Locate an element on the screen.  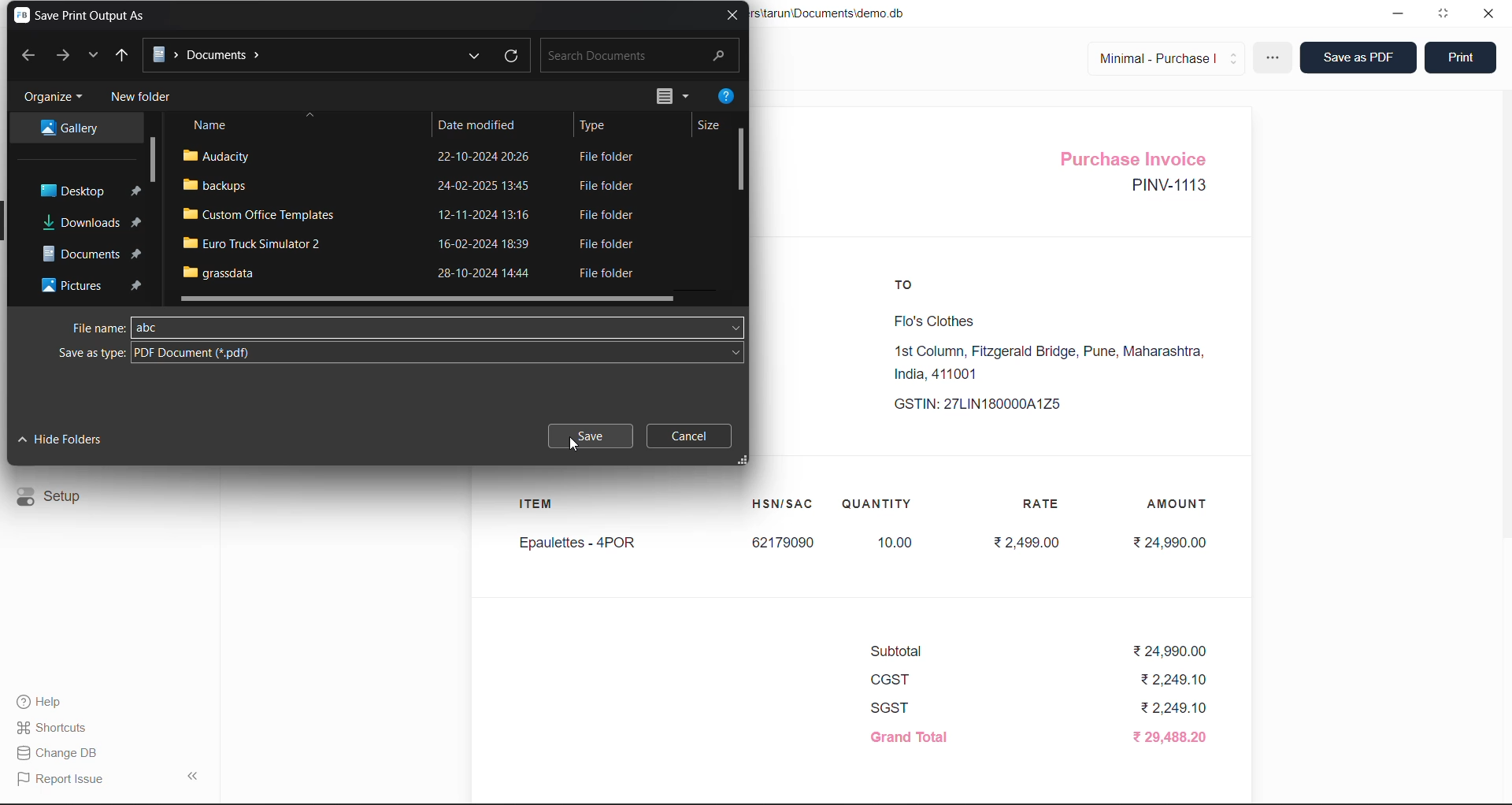
more options is located at coordinates (1276, 60).